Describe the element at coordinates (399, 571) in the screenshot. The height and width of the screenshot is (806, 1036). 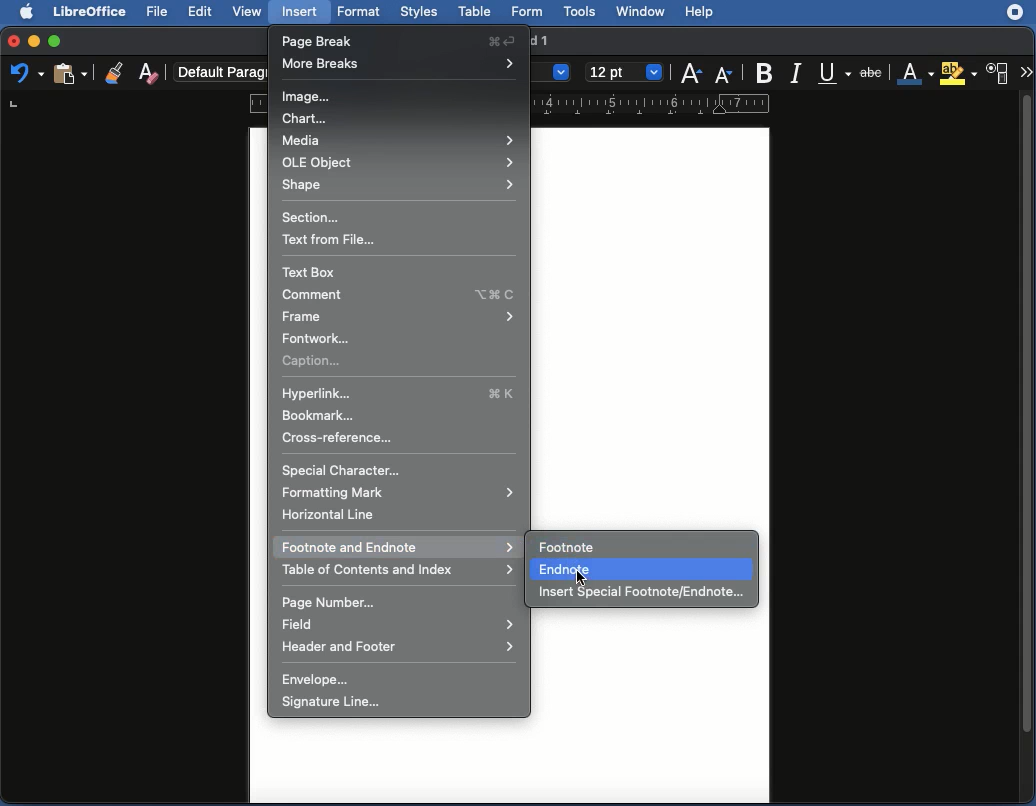
I see `Table of contents and index` at that location.